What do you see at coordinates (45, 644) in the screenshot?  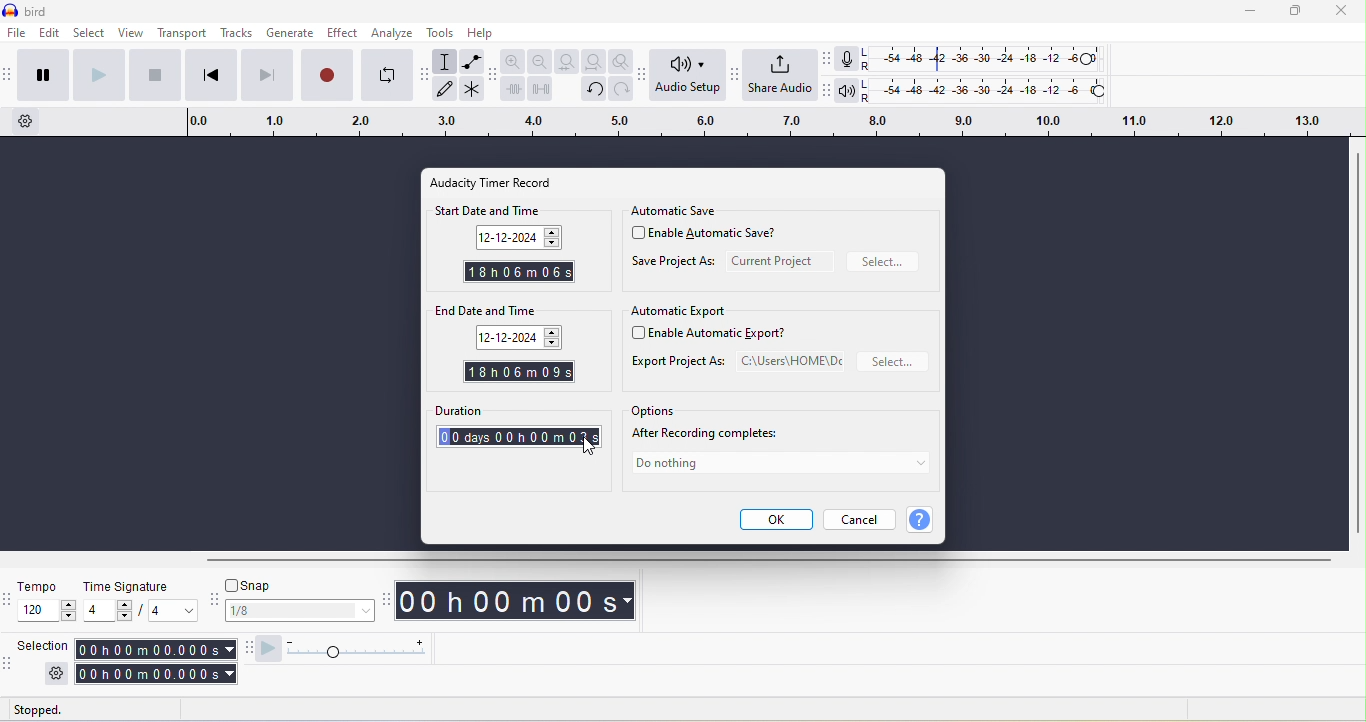 I see `selection` at bounding box center [45, 644].